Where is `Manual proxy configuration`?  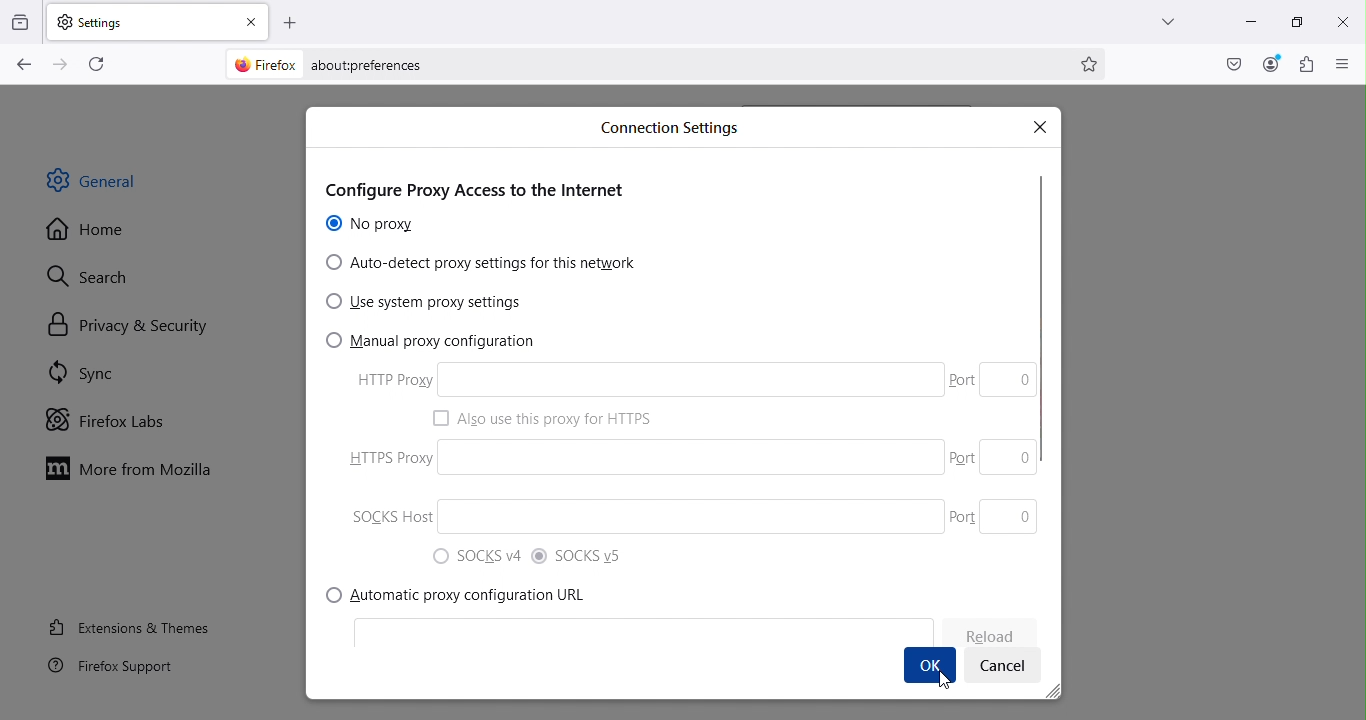
Manual proxy configuration is located at coordinates (428, 342).